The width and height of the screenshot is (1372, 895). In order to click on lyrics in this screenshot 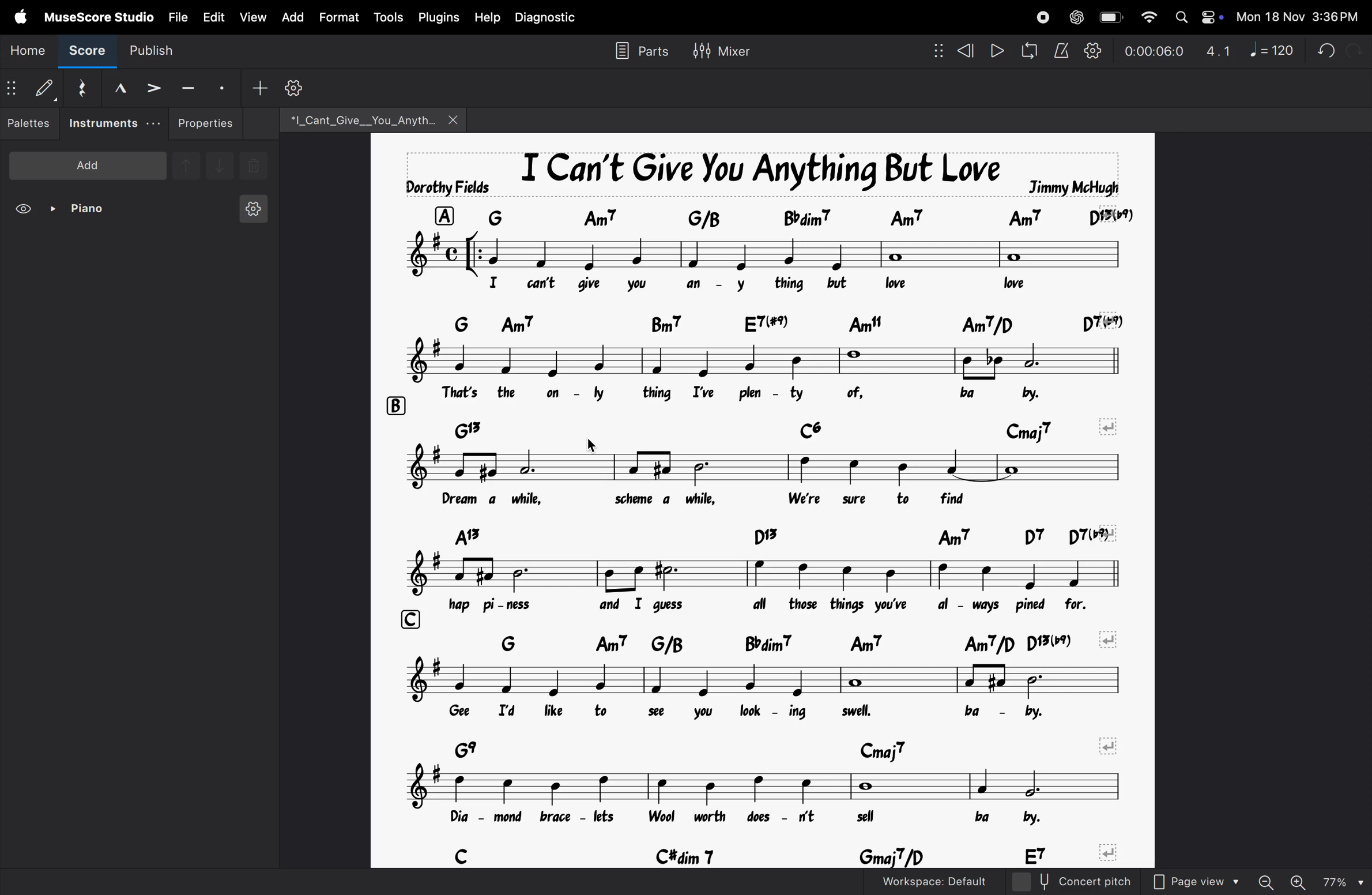, I will do `click(796, 606)`.